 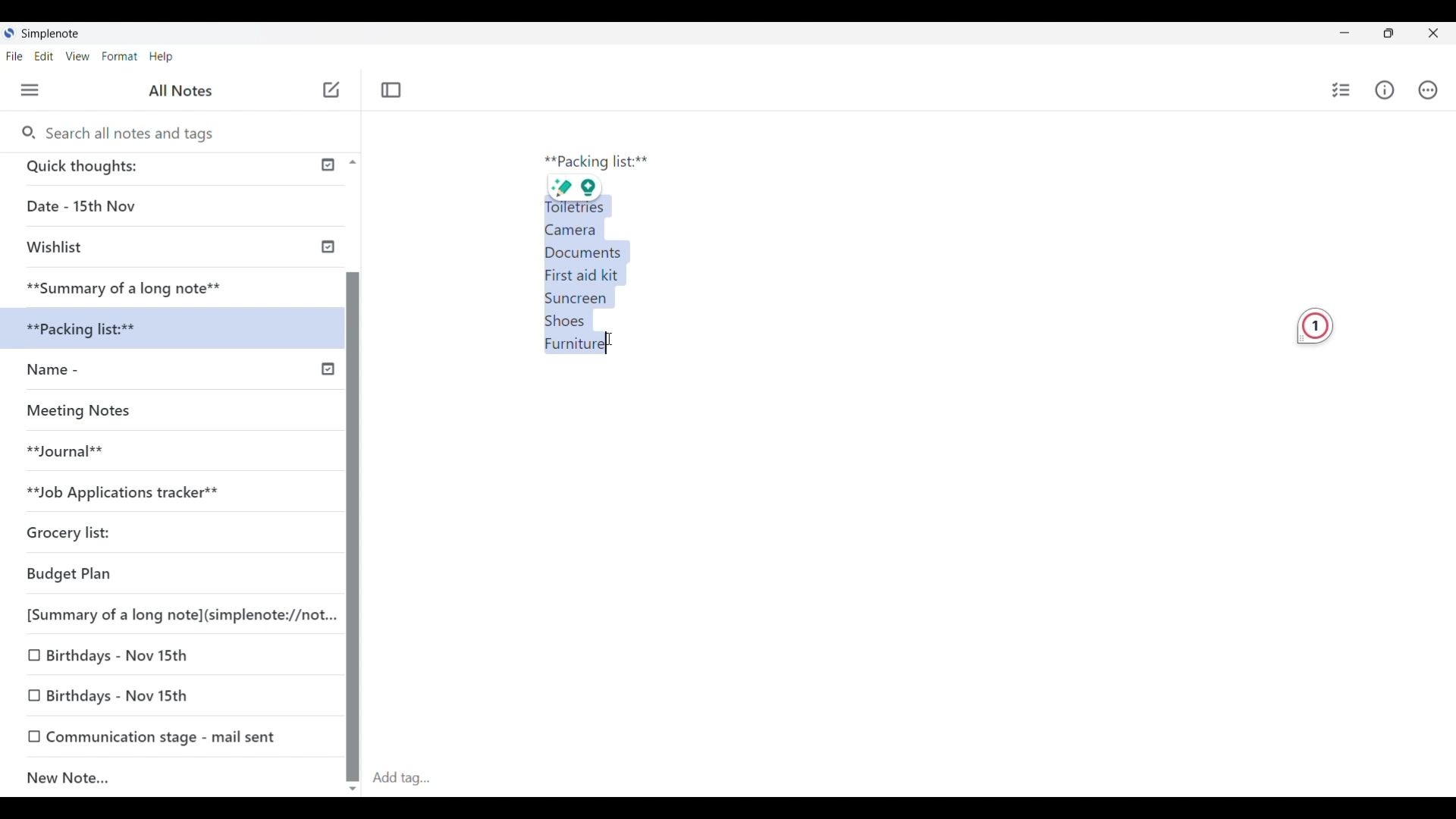 I want to click on Text selected, so click(x=590, y=279).